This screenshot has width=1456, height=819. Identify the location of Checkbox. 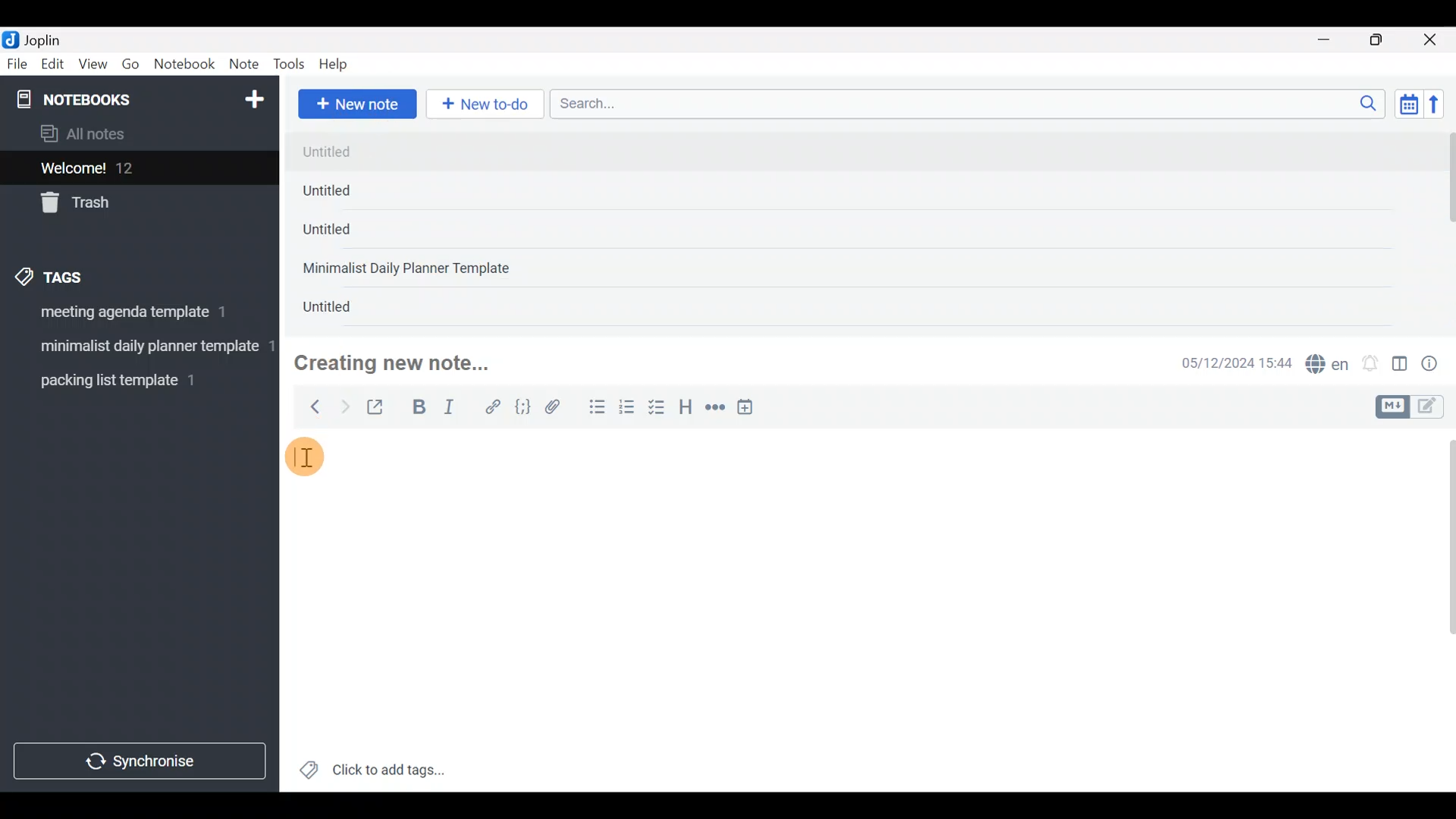
(658, 409).